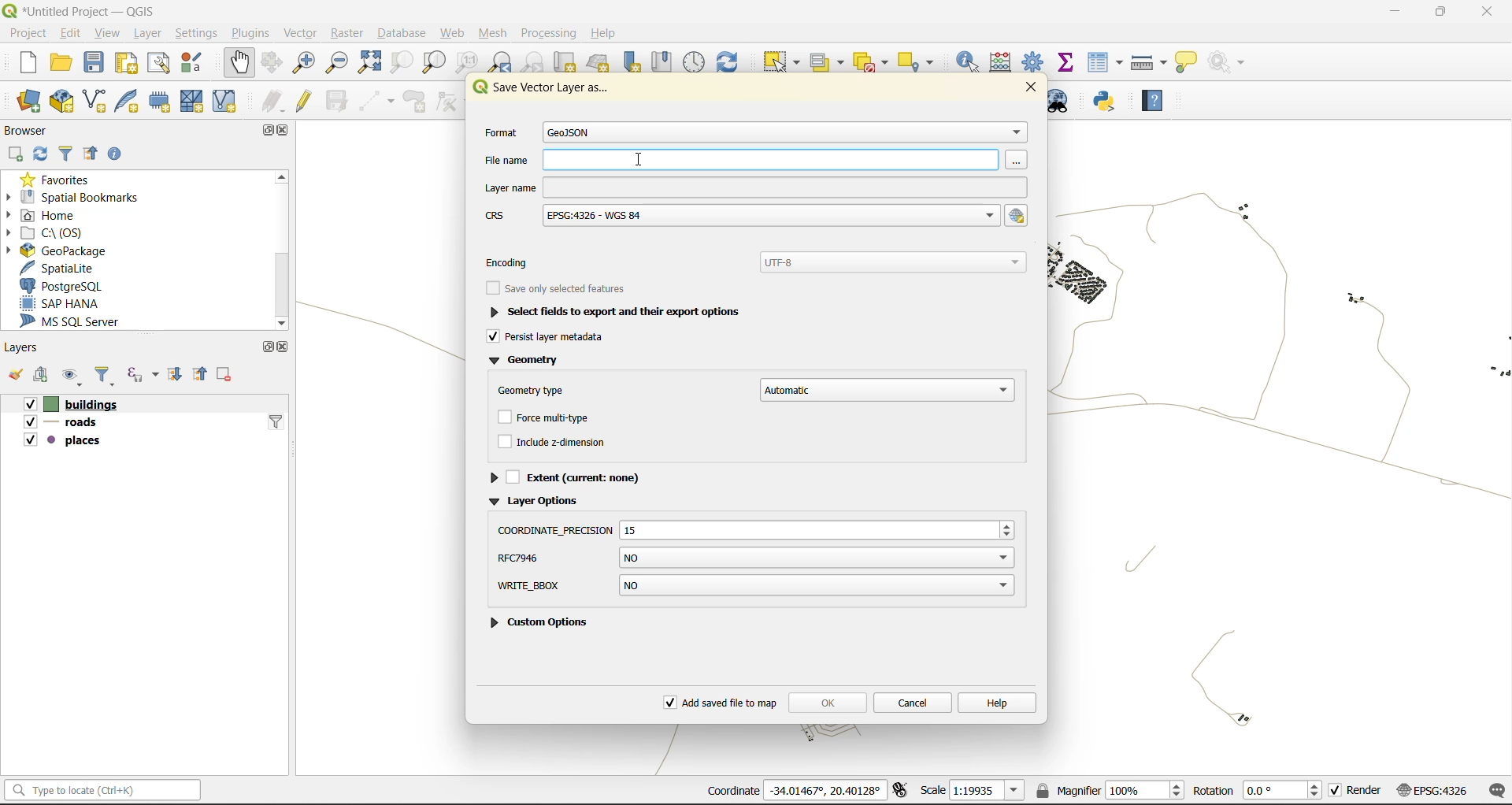 This screenshot has height=805, width=1512. What do you see at coordinates (228, 375) in the screenshot?
I see `remove` at bounding box center [228, 375].